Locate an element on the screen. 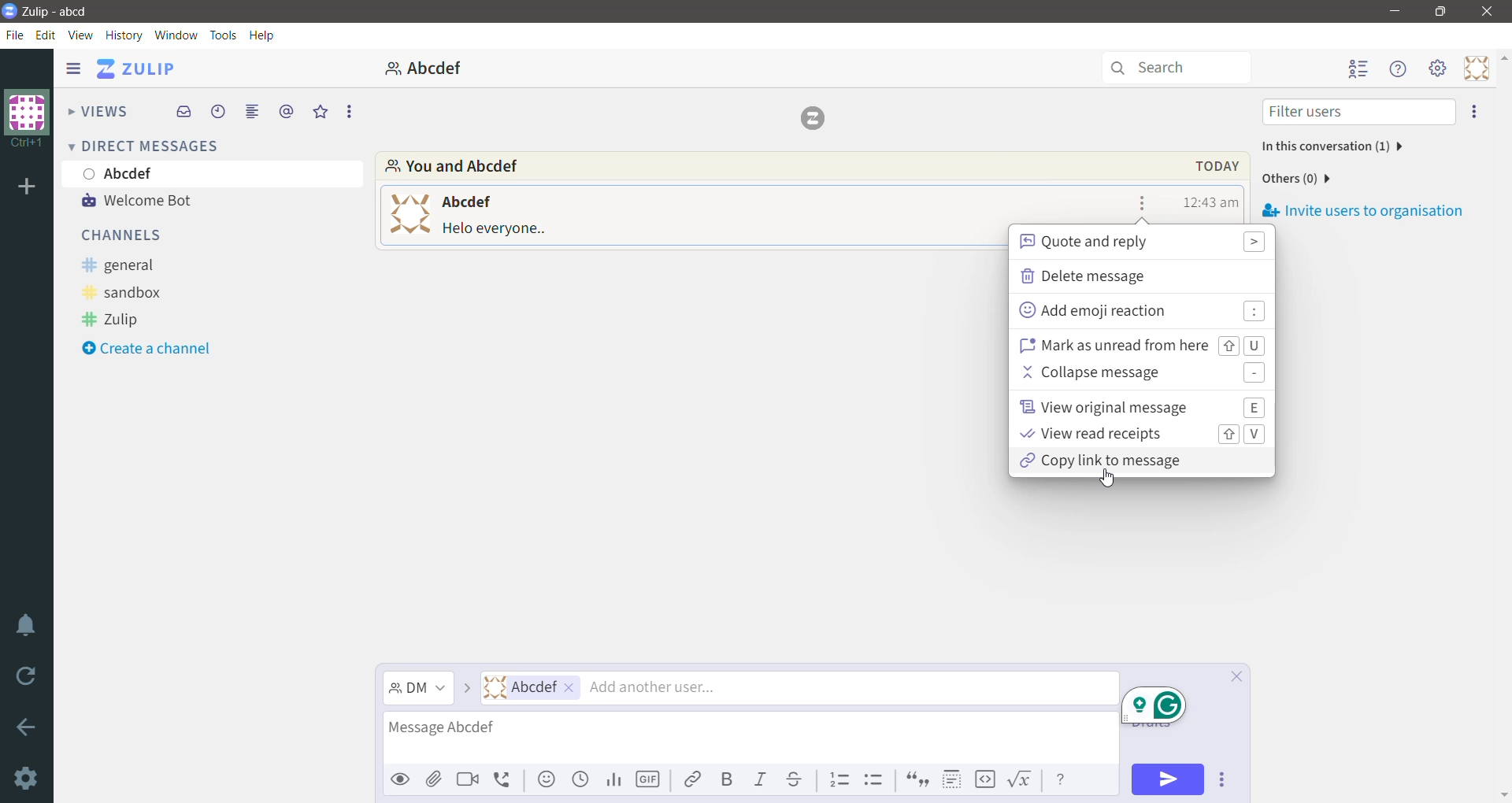 The image size is (1512, 803). Minimize is located at coordinates (1396, 11).